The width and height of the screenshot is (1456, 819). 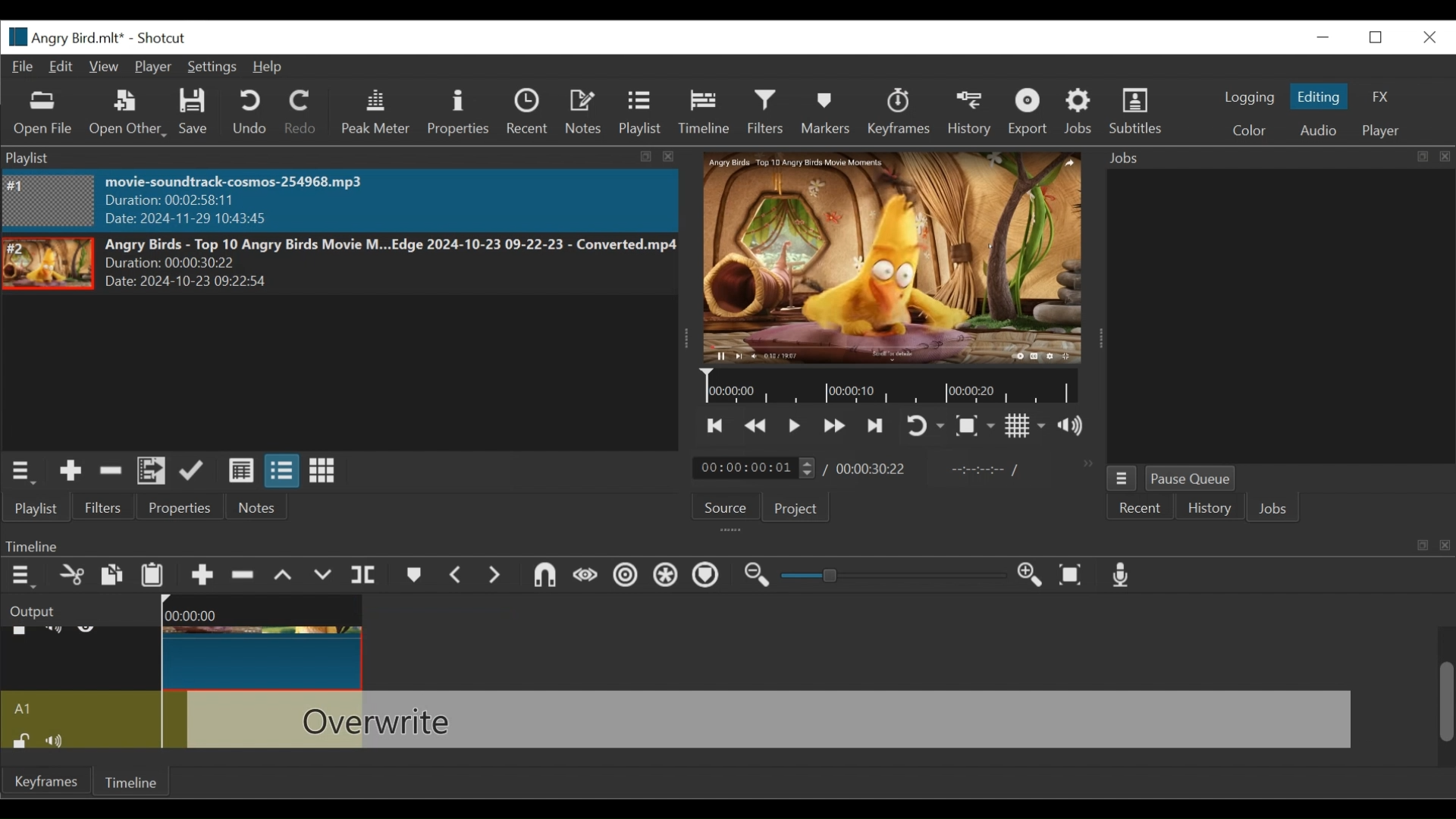 I want to click on Source, so click(x=726, y=508).